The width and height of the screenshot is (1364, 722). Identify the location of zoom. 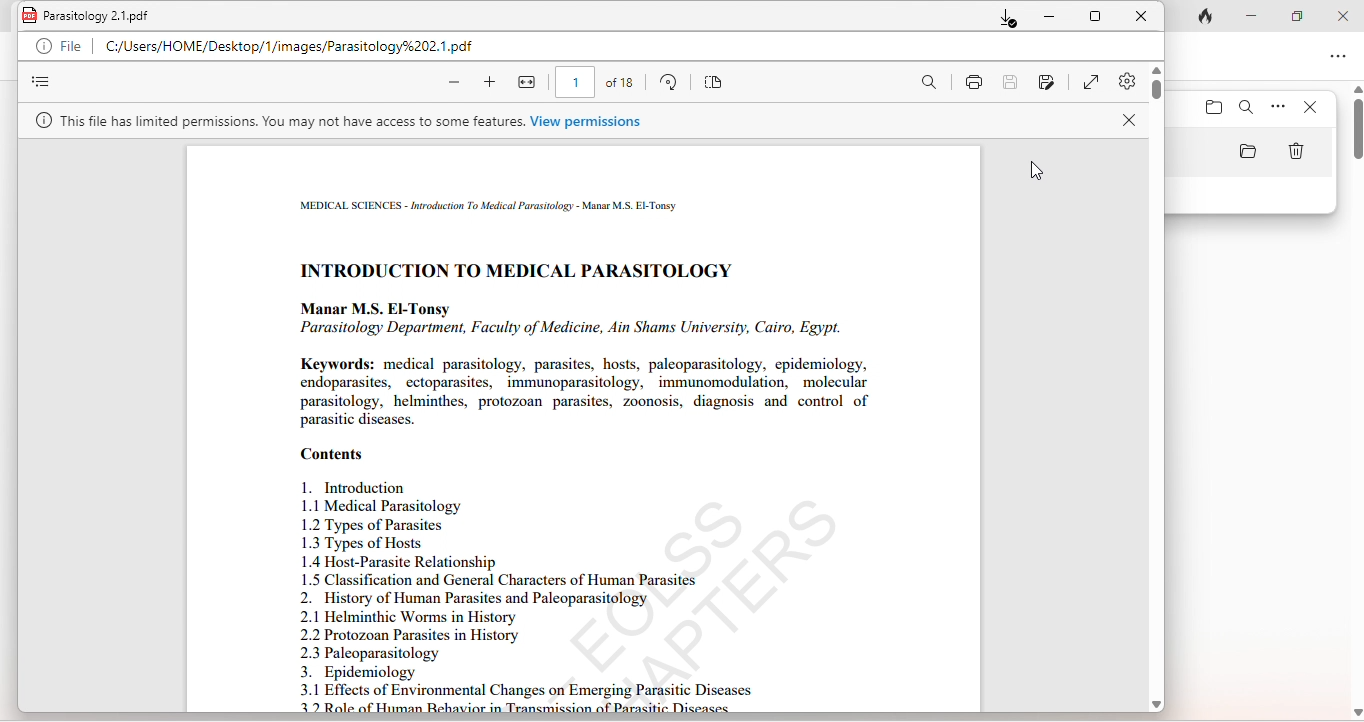
(455, 82).